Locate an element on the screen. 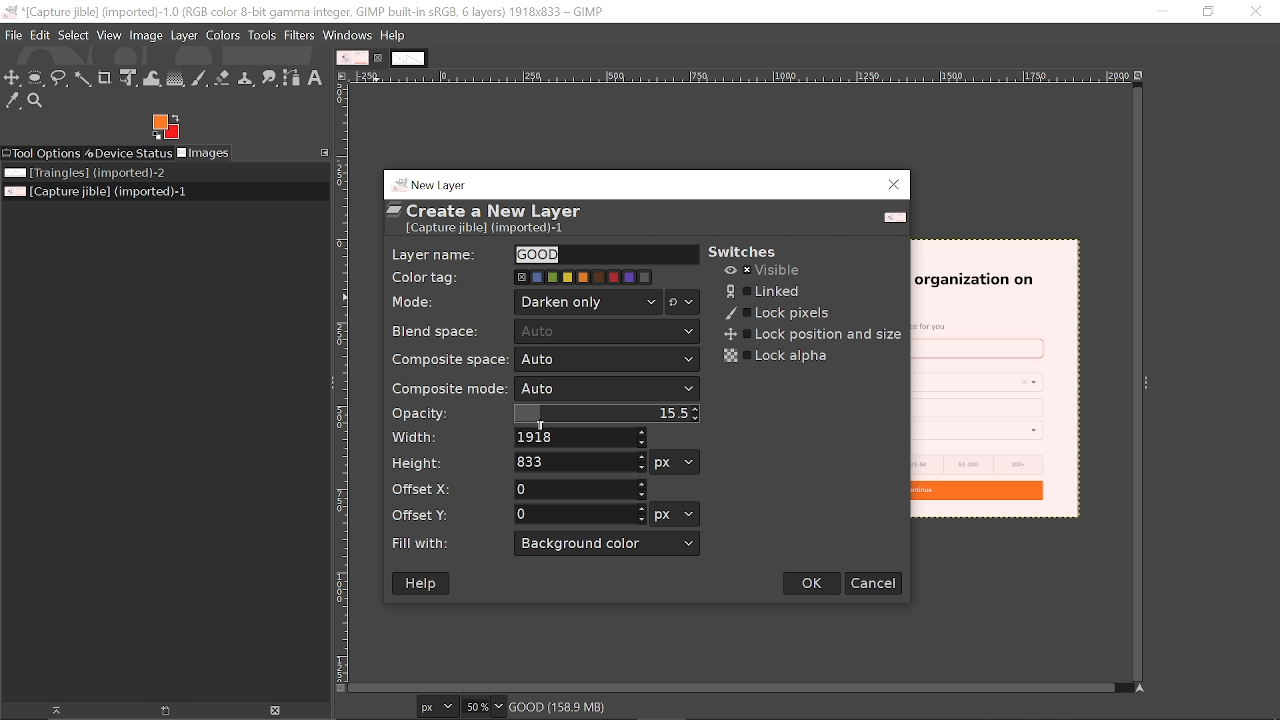  Color tag: is located at coordinates (431, 275).